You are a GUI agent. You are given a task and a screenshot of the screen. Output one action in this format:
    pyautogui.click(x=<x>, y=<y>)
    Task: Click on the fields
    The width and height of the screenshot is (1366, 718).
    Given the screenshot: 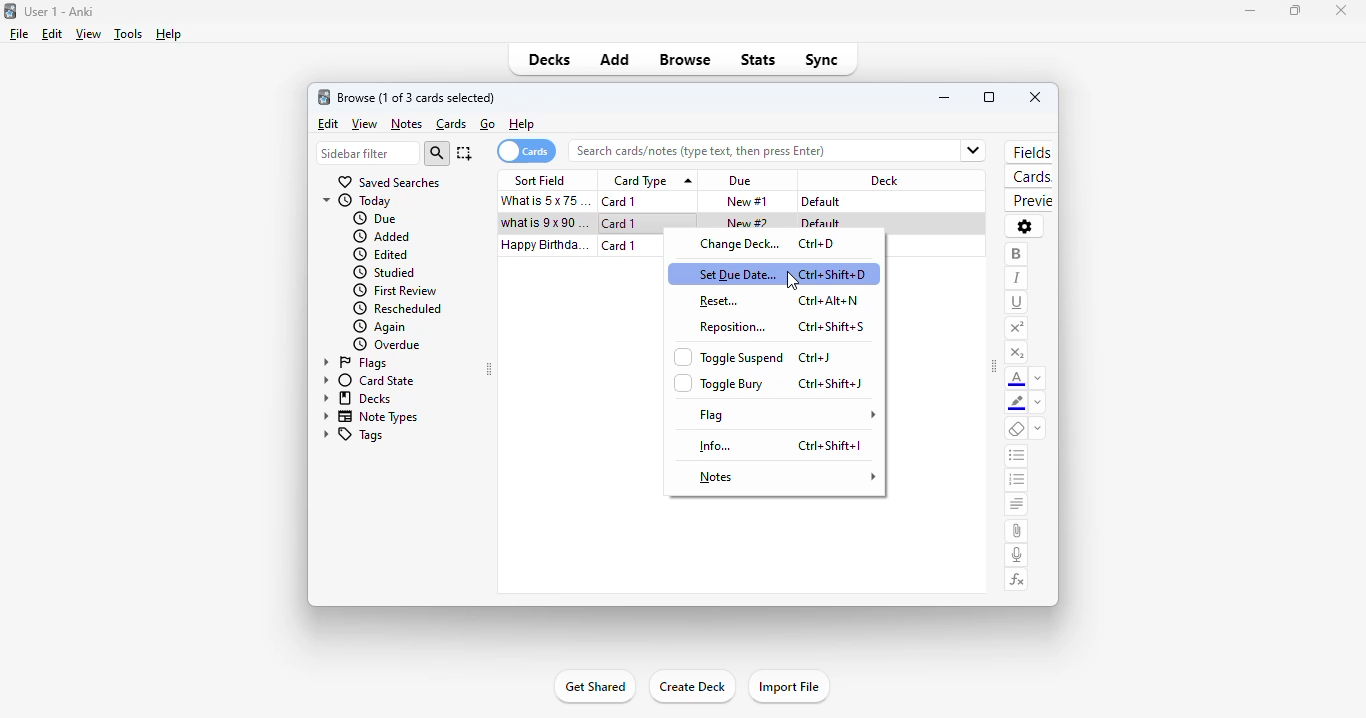 What is the action you would take?
    pyautogui.click(x=1029, y=152)
    